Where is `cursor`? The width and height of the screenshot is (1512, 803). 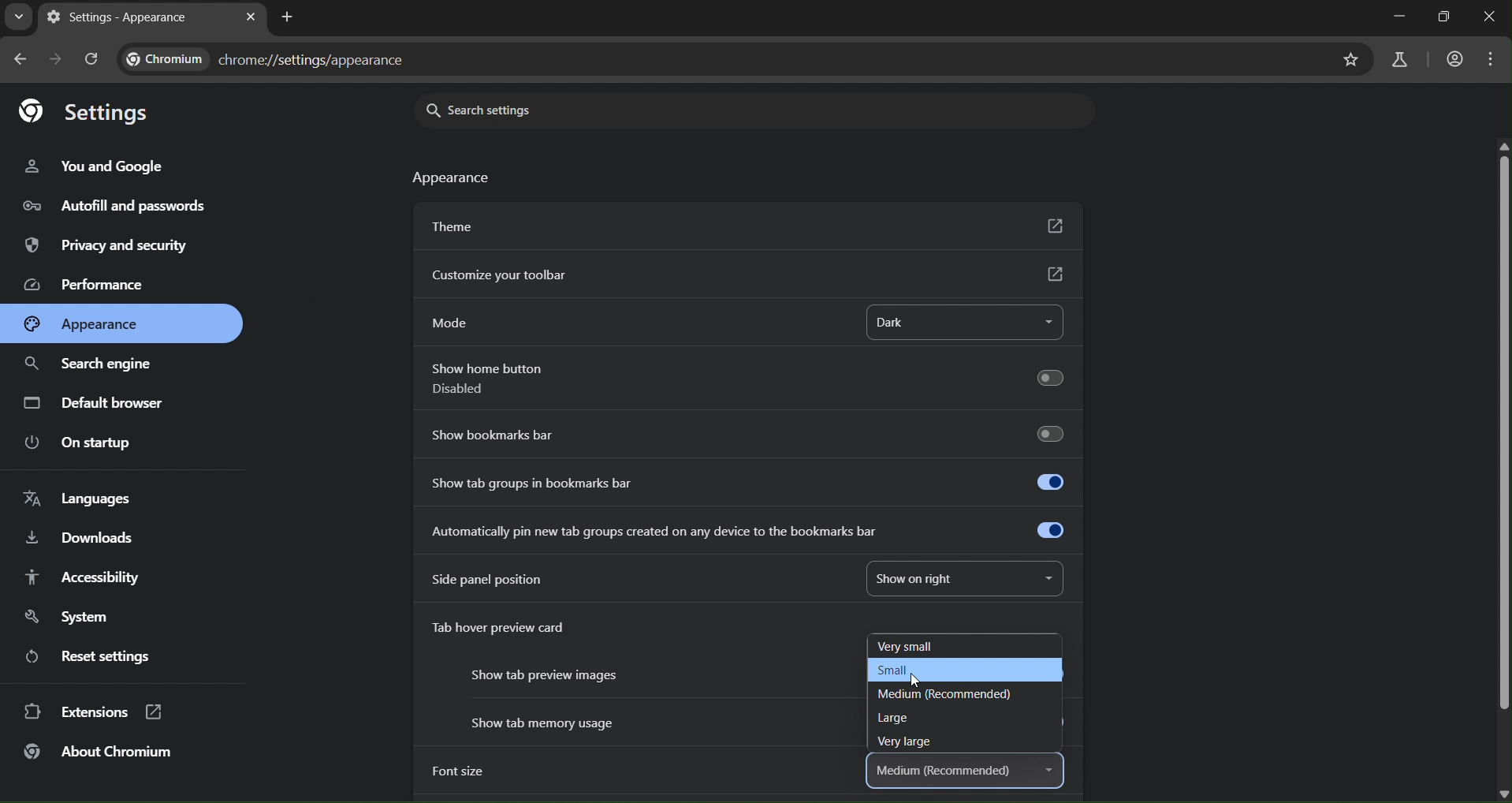
cursor is located at coordinates (918, 684).